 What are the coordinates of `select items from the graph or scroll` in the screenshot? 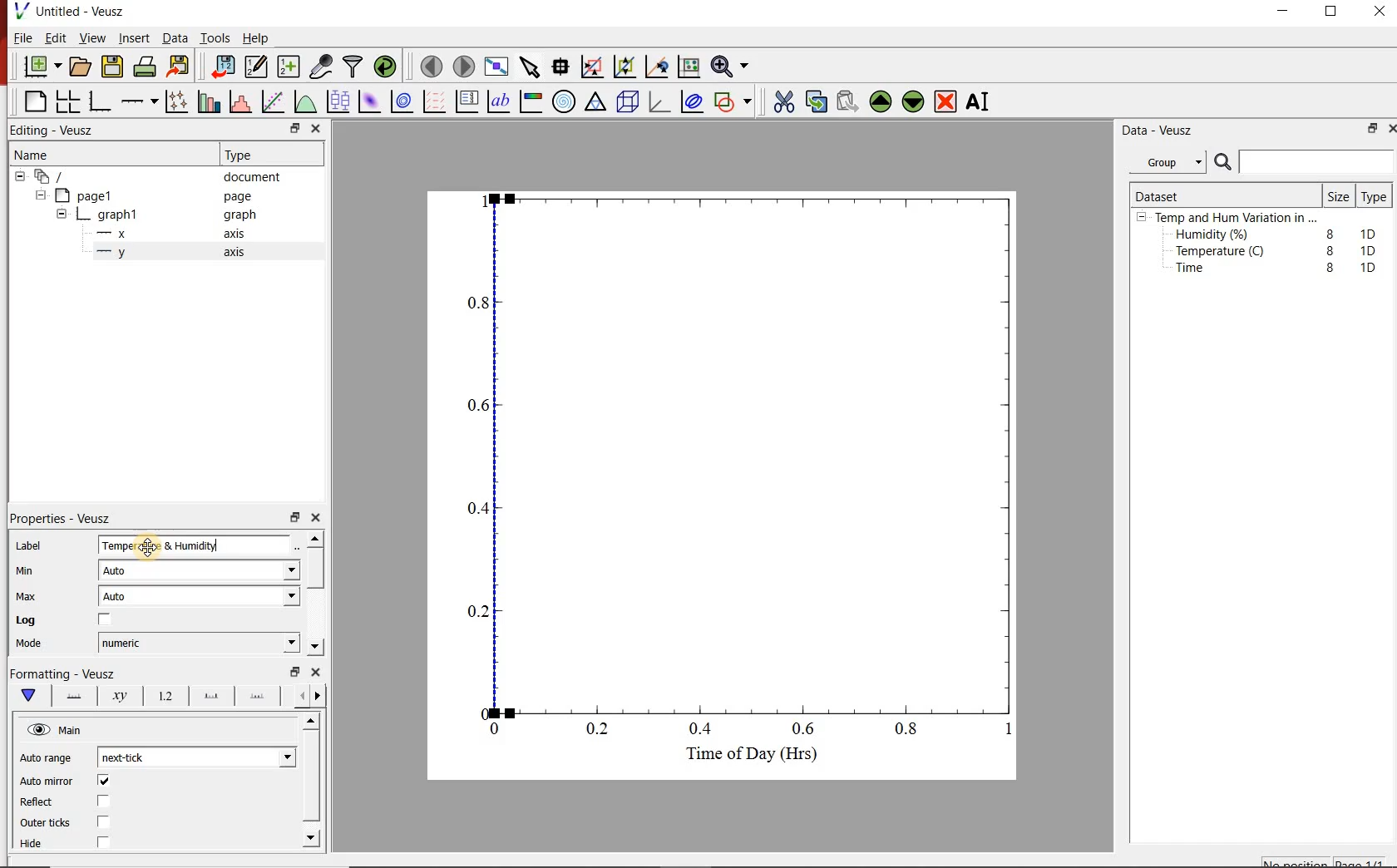 It's located at (531, 69).